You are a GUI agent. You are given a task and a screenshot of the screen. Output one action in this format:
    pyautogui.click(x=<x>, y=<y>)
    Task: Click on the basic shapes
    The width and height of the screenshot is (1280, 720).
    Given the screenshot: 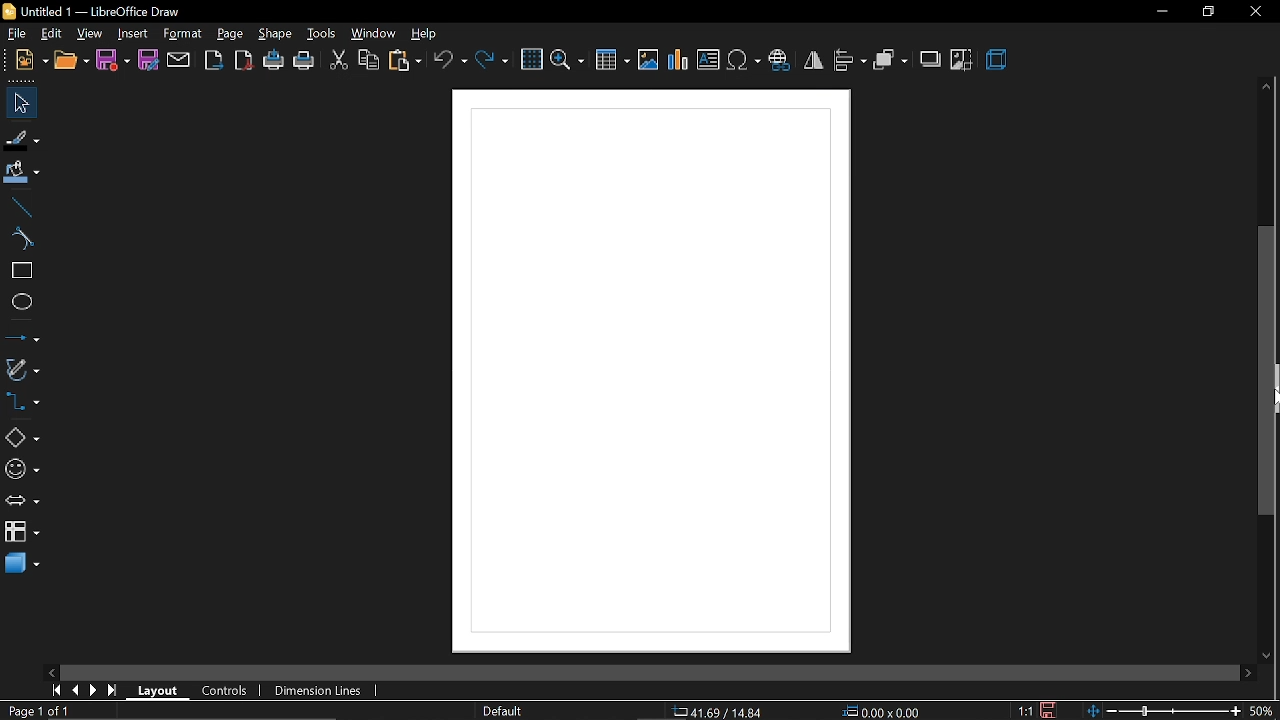 What is the action you would take?
    pyautogui.click(x=22, y=438)
    